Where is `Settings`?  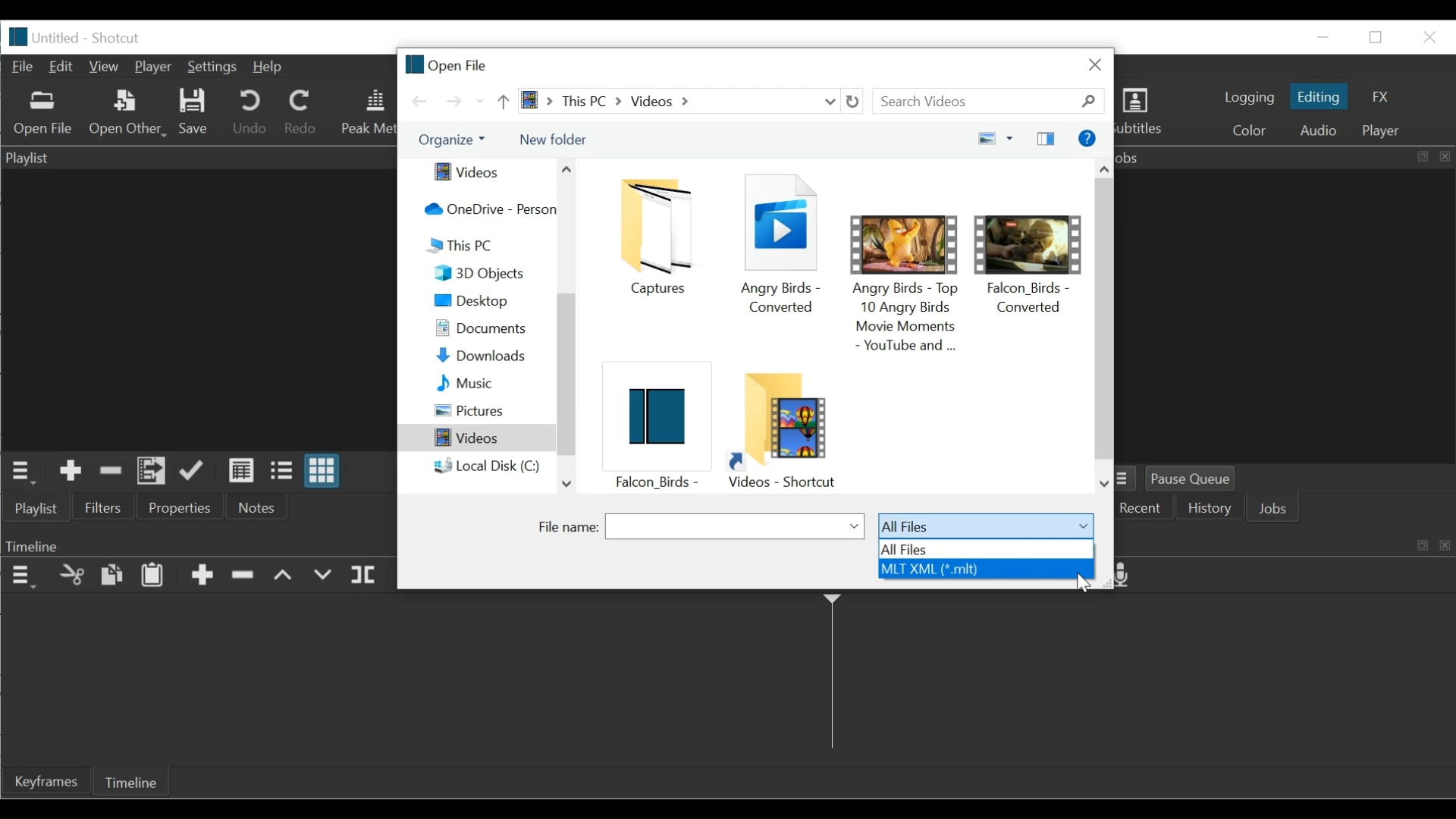
Settings is located at coordinates (212, 68).